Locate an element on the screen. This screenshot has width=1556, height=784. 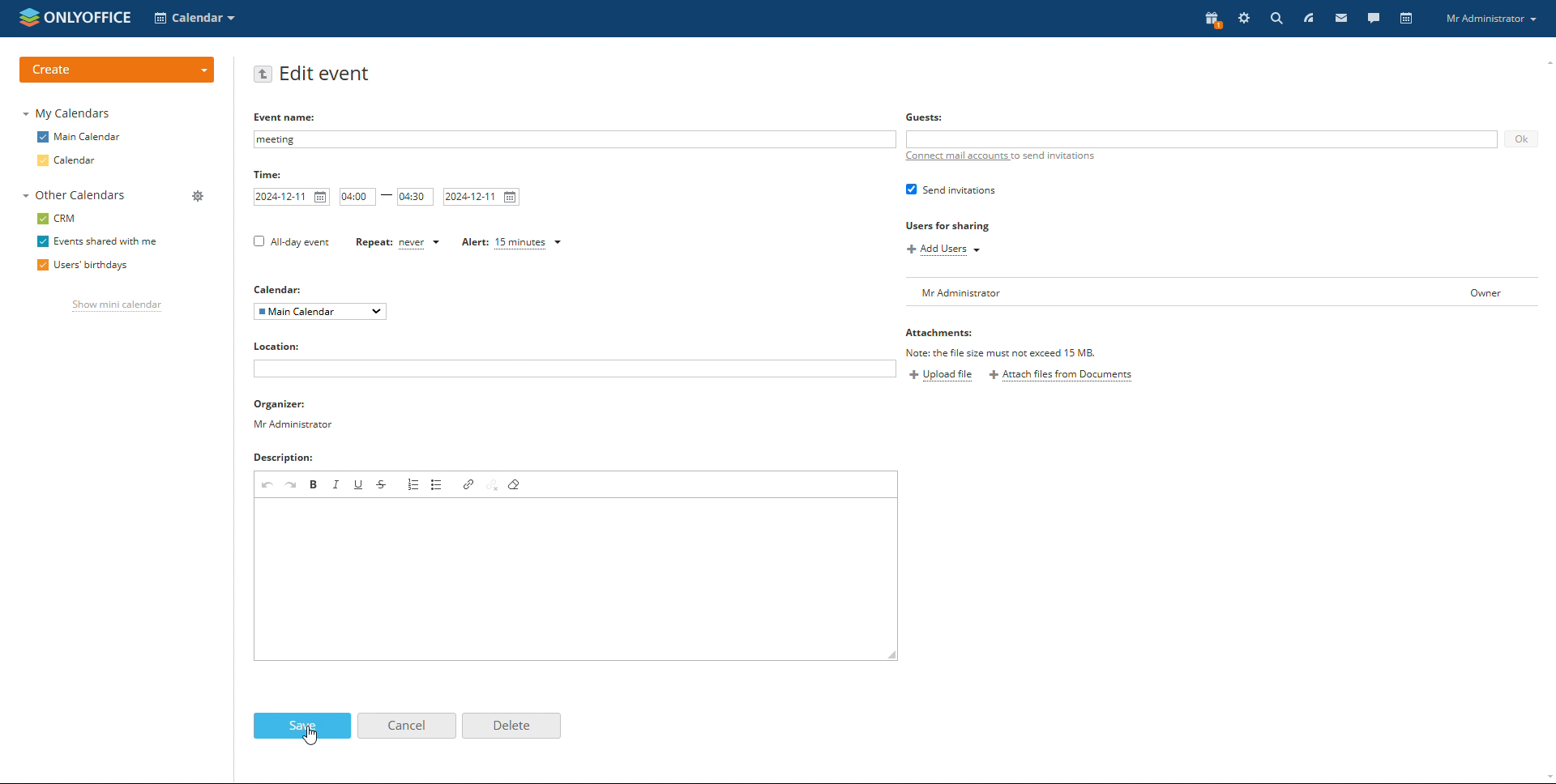
 is located at coordinates (926, 117).